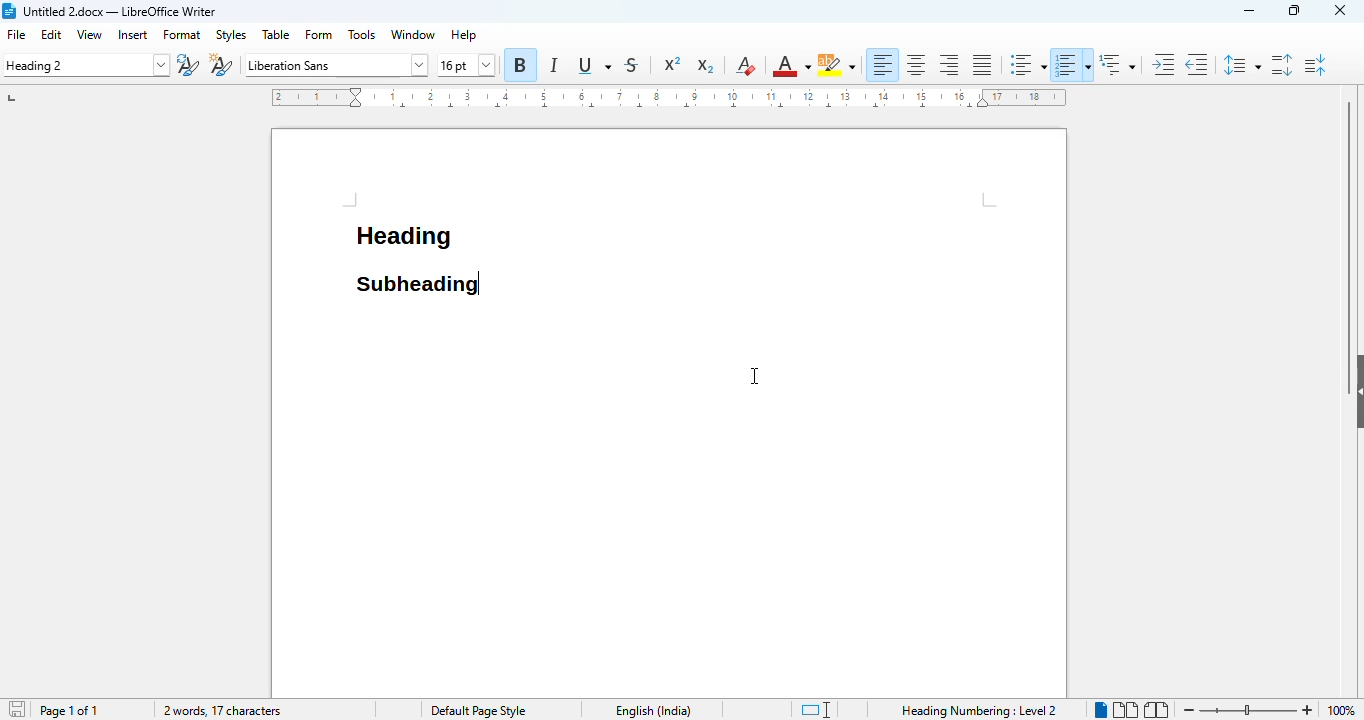 This screenshot has height=720, width=1364. What do you see at coordinates (595, 65) in the screenshot?
I see `underline` at bounding box center [595, 65].